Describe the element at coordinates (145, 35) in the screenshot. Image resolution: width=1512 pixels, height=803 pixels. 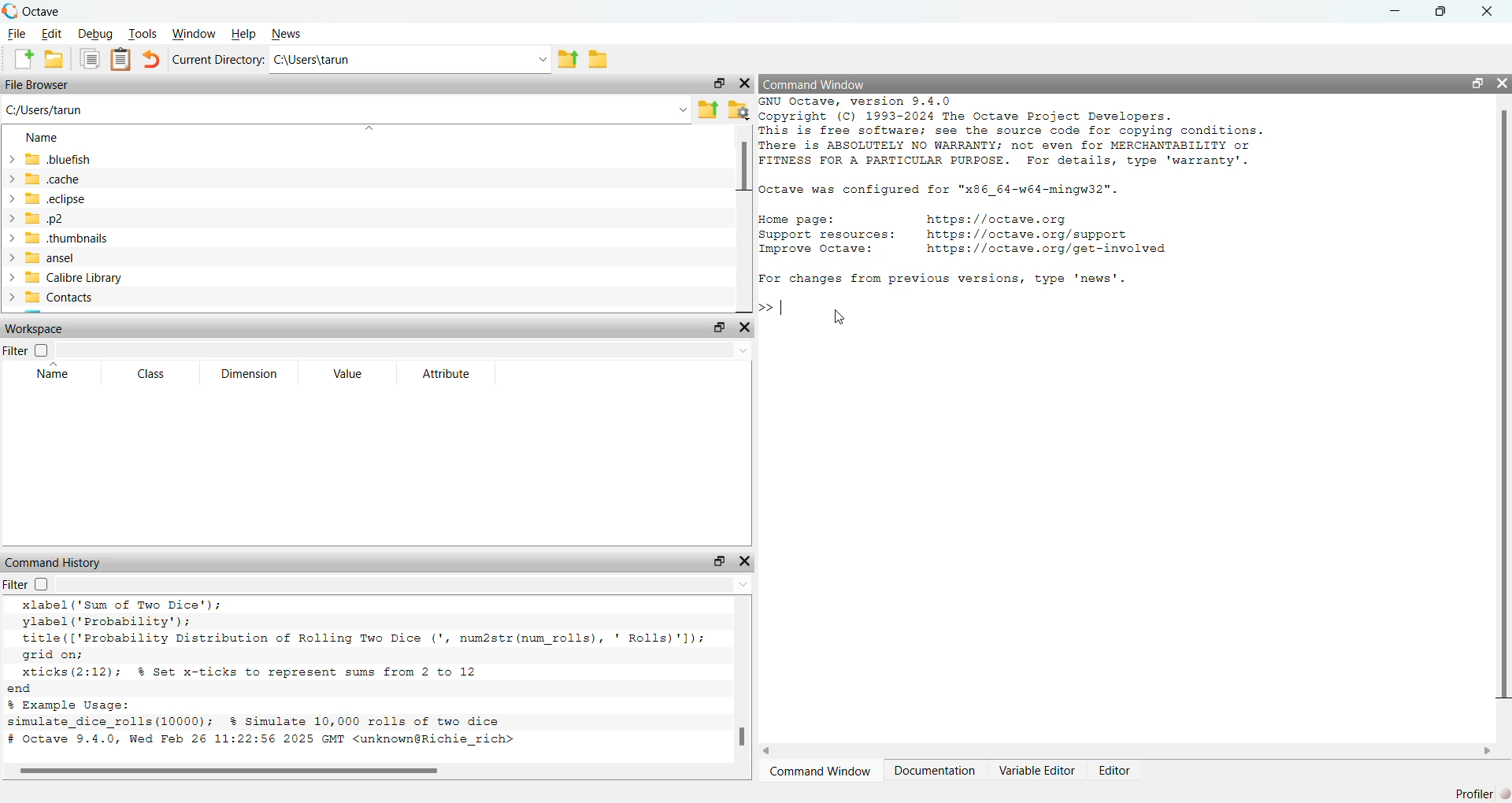
I see `Tools` at that location.